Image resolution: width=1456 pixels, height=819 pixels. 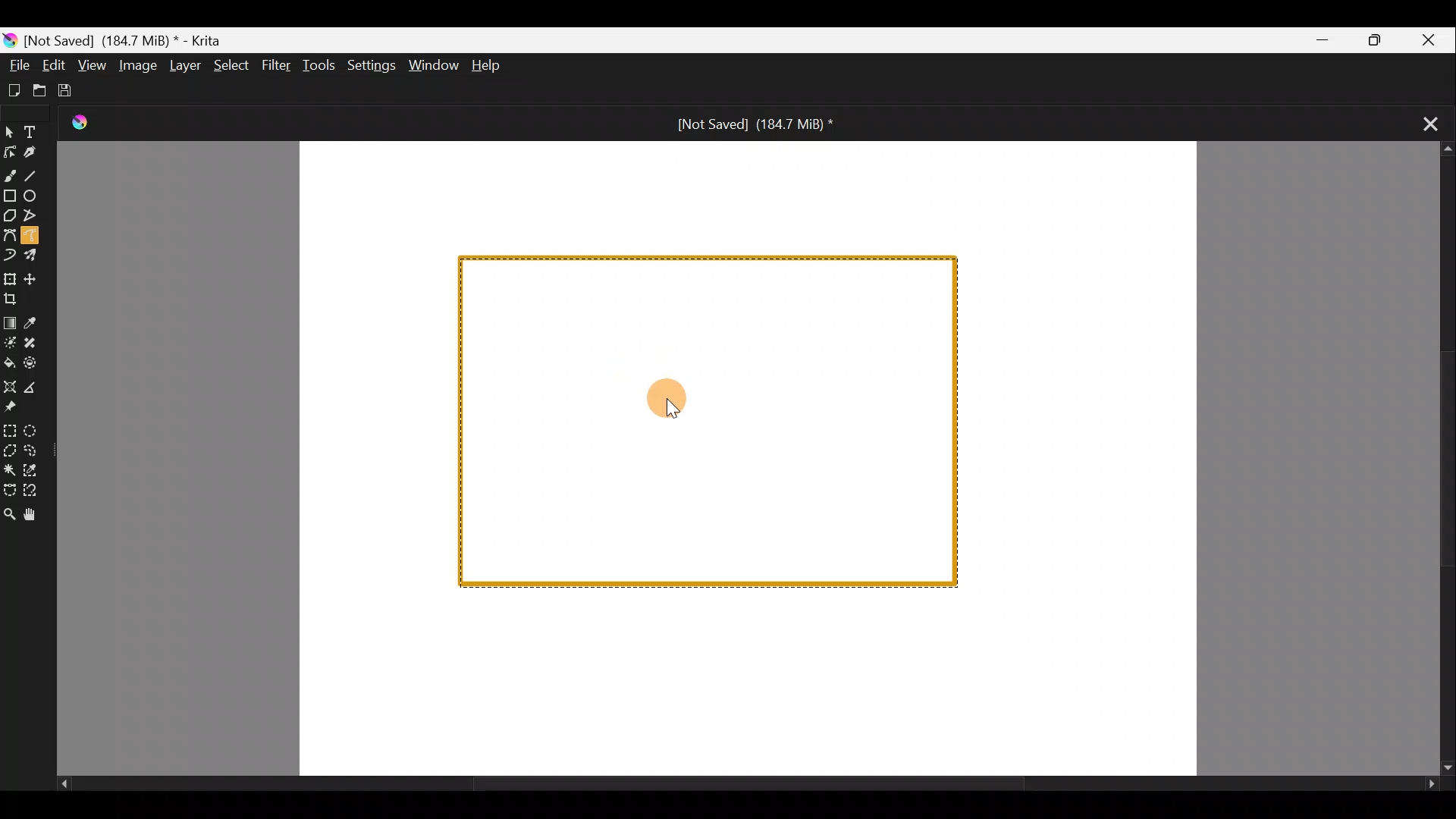 I want to click on Filter, so click(x=276, y=67).